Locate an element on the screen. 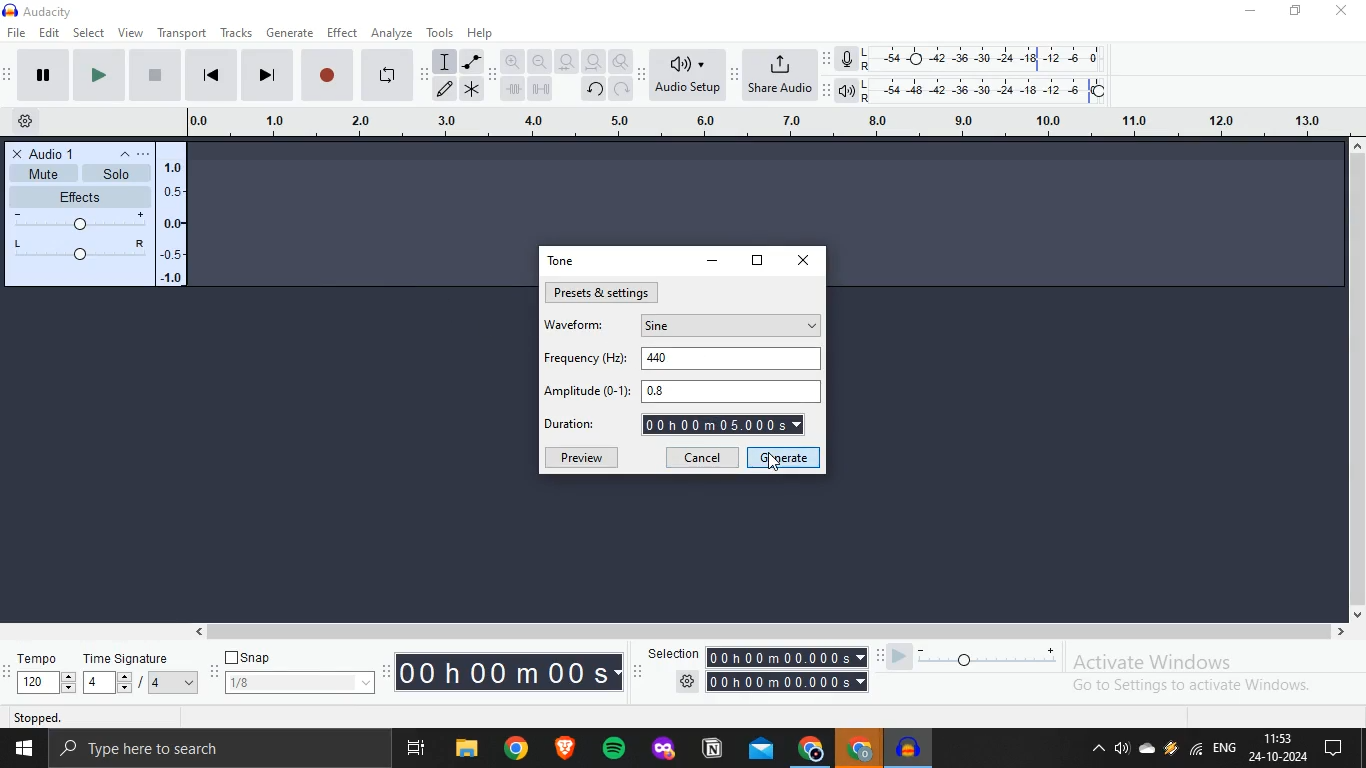 The height and width of the screenshot is (768, 1366). Close is located at coordinates (1348, 16).